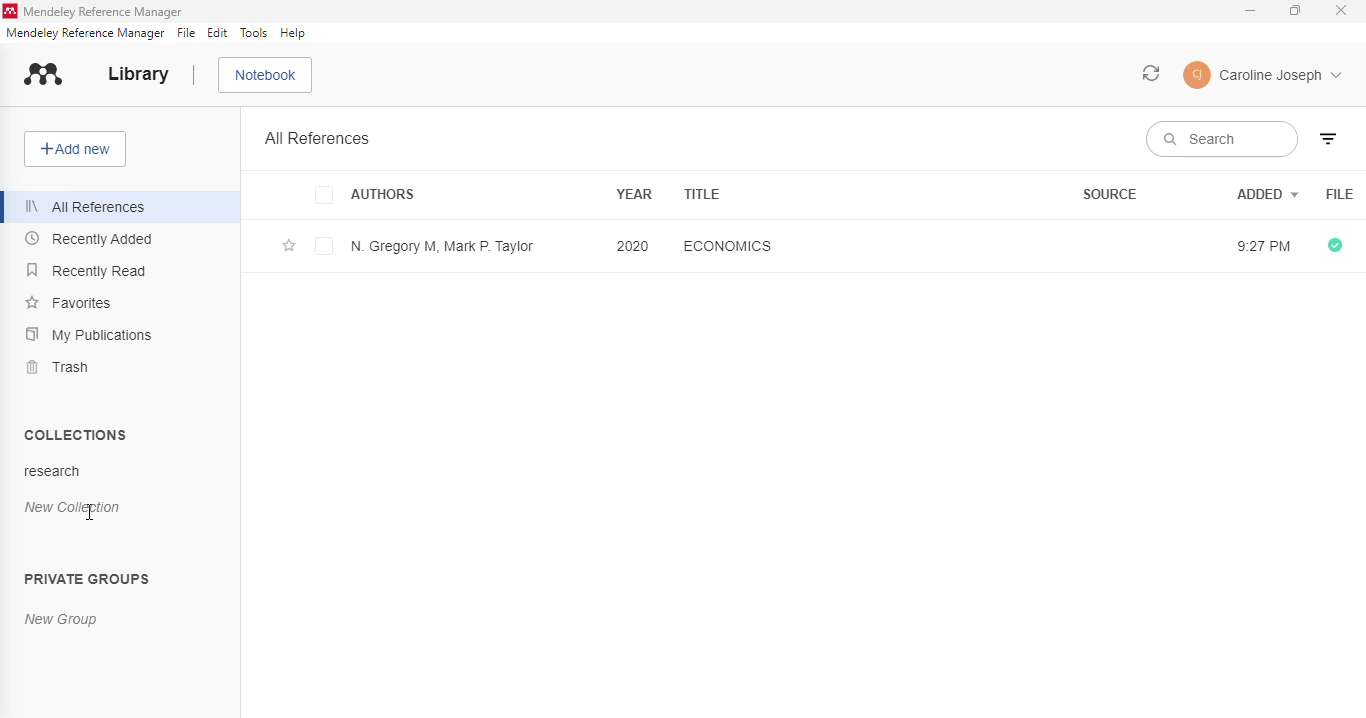 The width and height of the screenshot is (1366, 718). I want to click on add new, so click(75, 149).